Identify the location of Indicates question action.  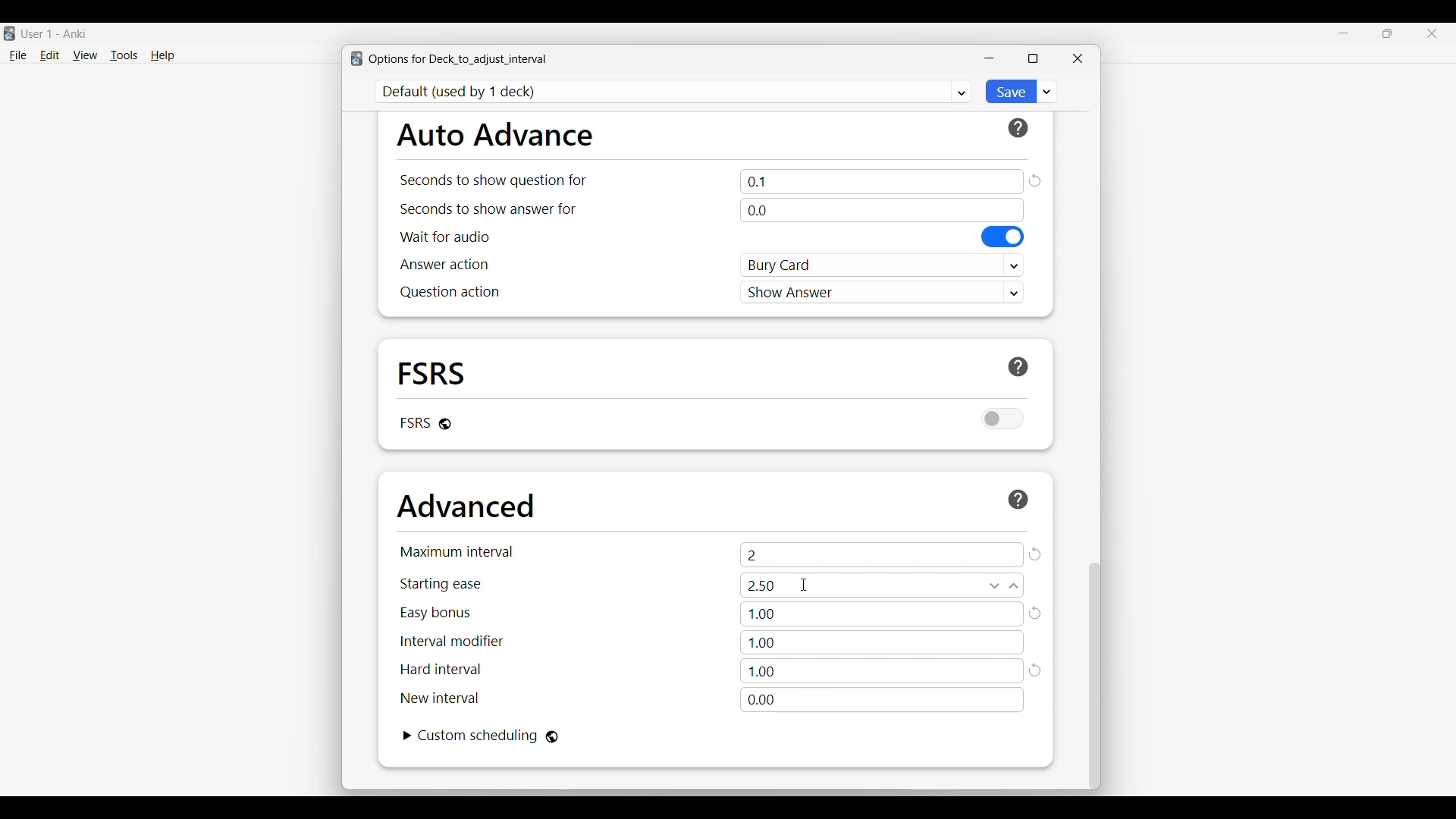
(450, 292).